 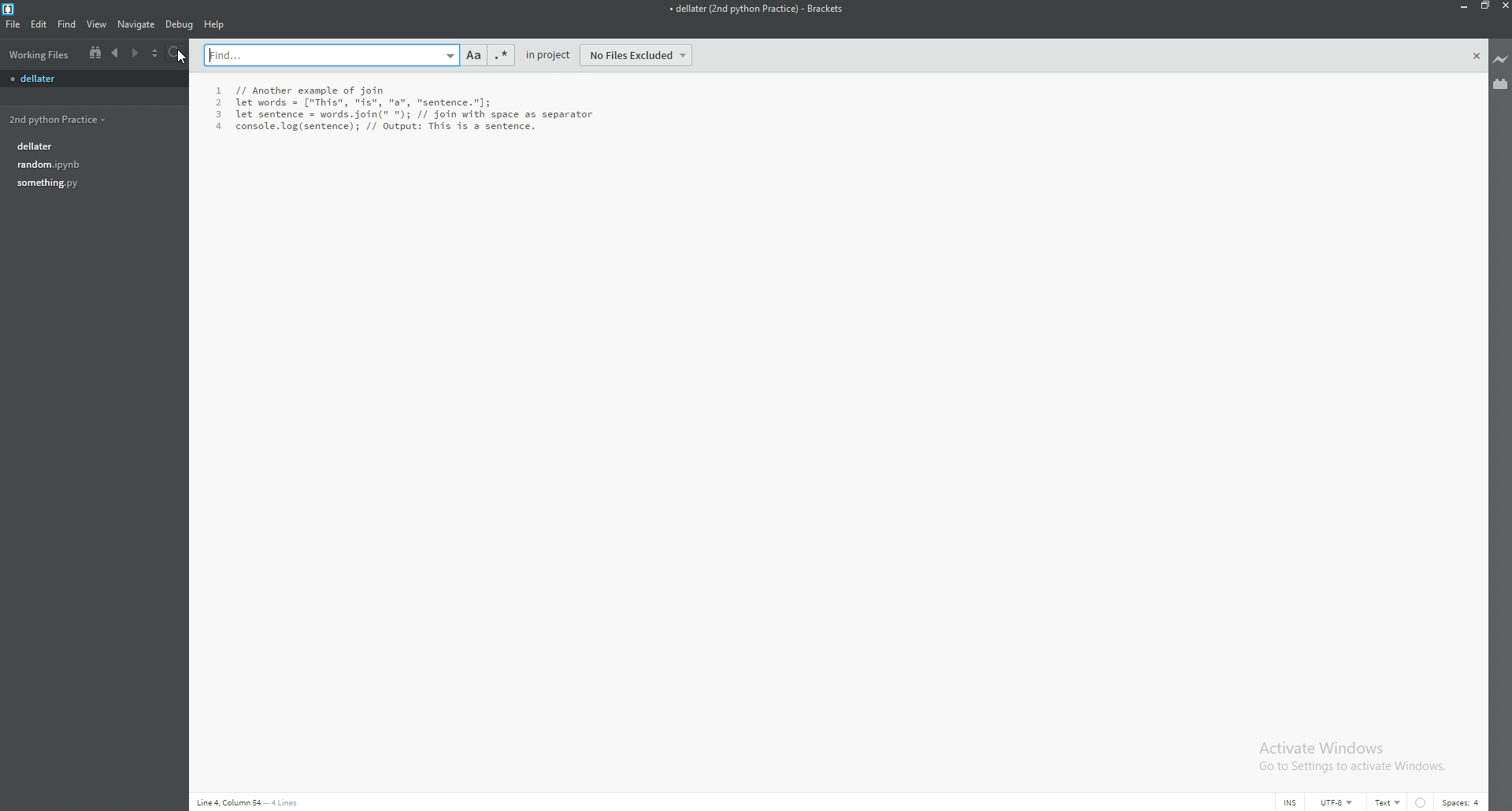 What do you see at coordinates (1357, 754) in the screenshot?
I see `Activate Windows
Go to Settings to activate Windows.` at bounding box center [1357, 754].